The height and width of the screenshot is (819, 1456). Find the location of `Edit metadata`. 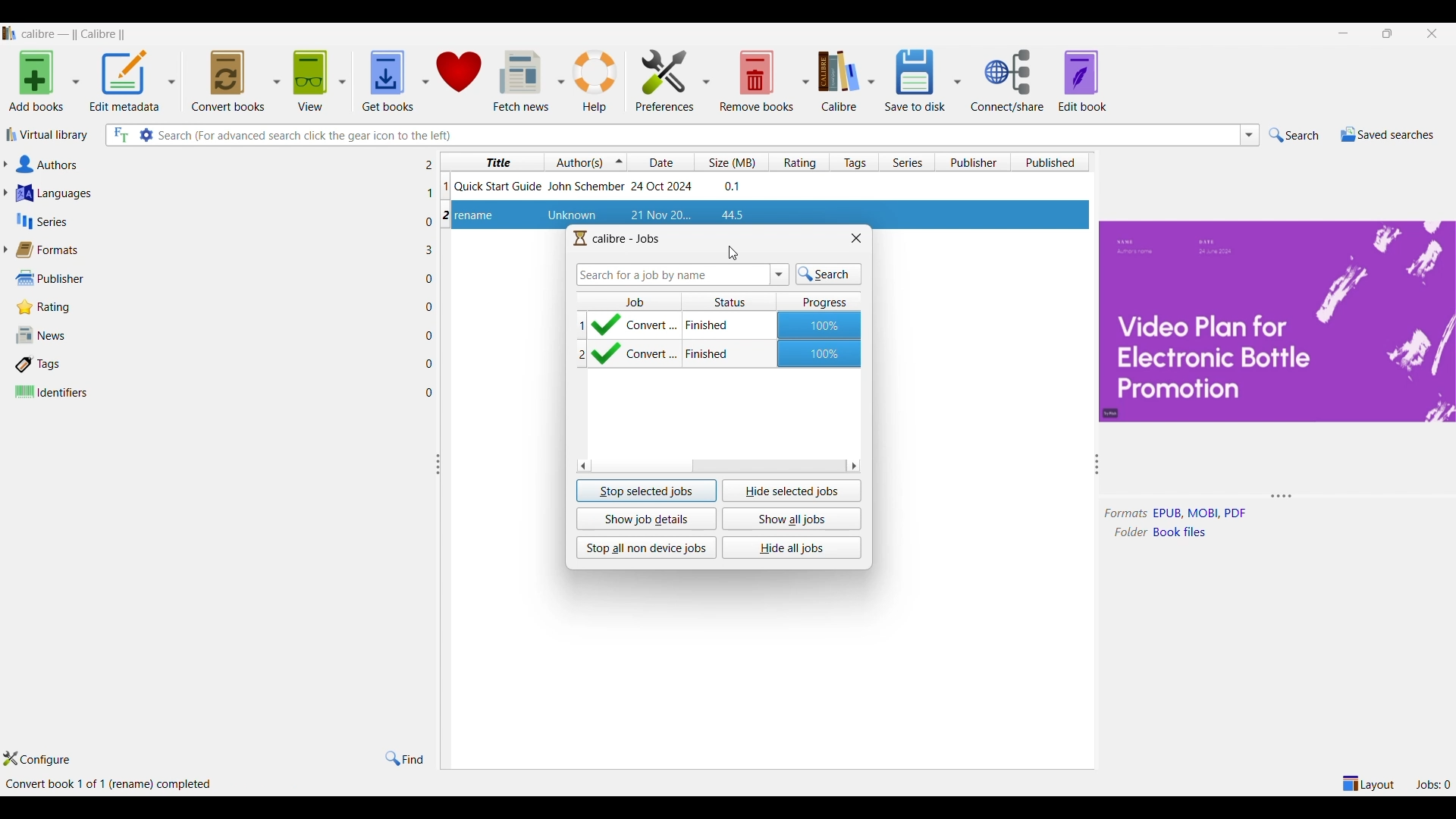

Edit metadata is located at coordinates (124, 81).